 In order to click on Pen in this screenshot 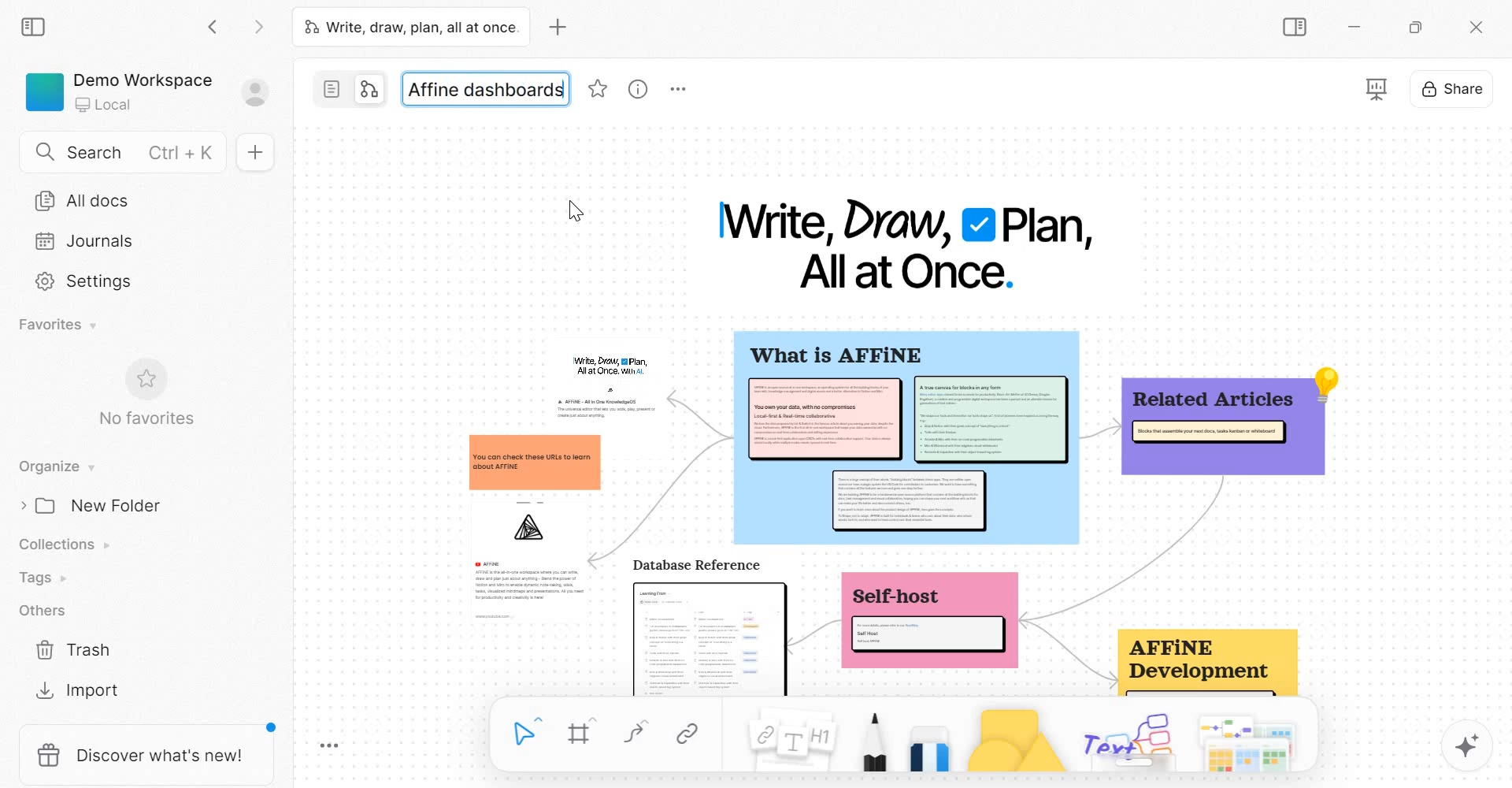, I will do `click(873, 743)`.